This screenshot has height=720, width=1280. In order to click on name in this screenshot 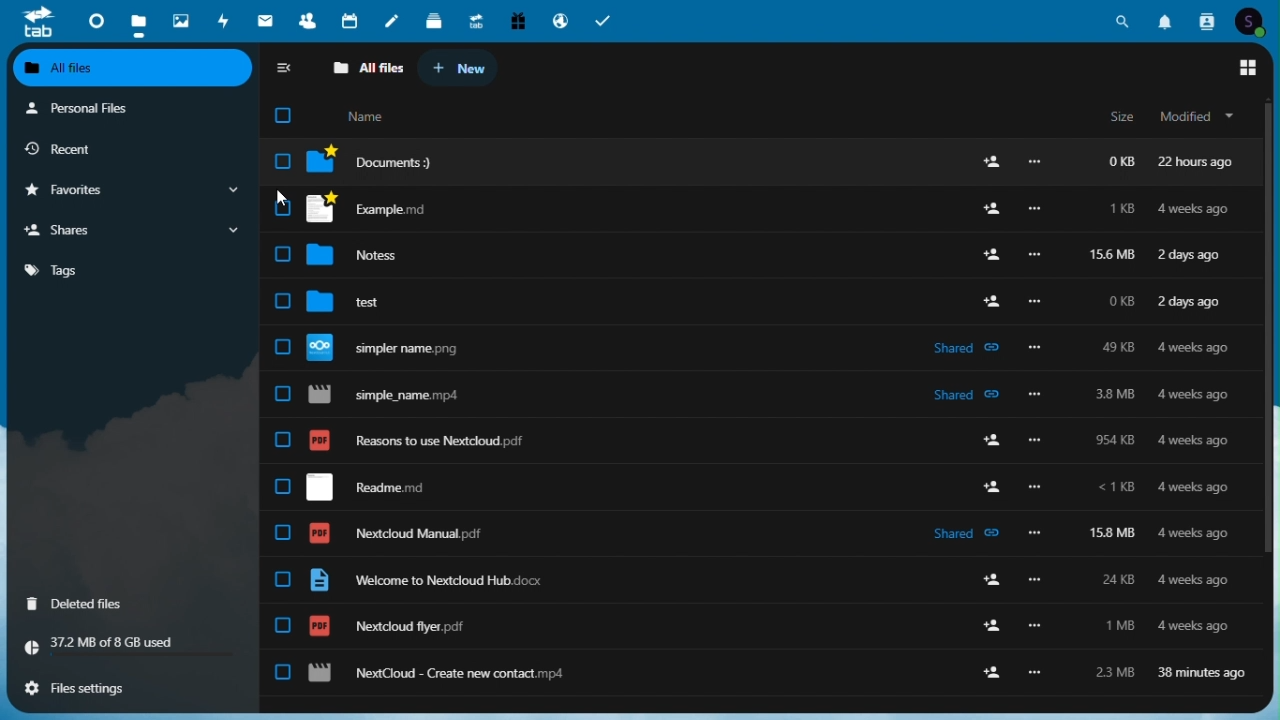, I will do `click(366, 115)`.